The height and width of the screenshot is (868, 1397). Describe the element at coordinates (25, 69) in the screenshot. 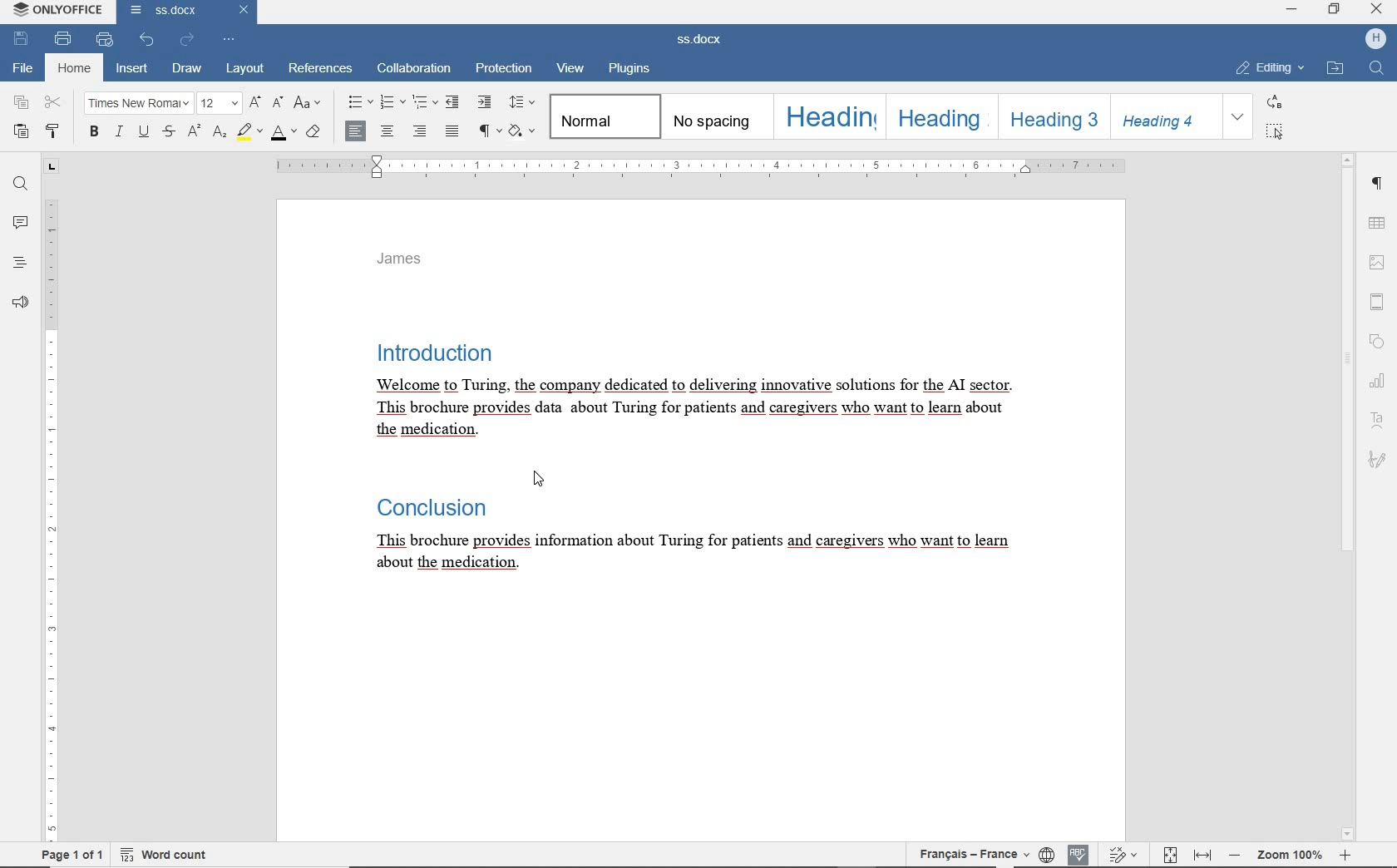

I see `FILE` at that location.